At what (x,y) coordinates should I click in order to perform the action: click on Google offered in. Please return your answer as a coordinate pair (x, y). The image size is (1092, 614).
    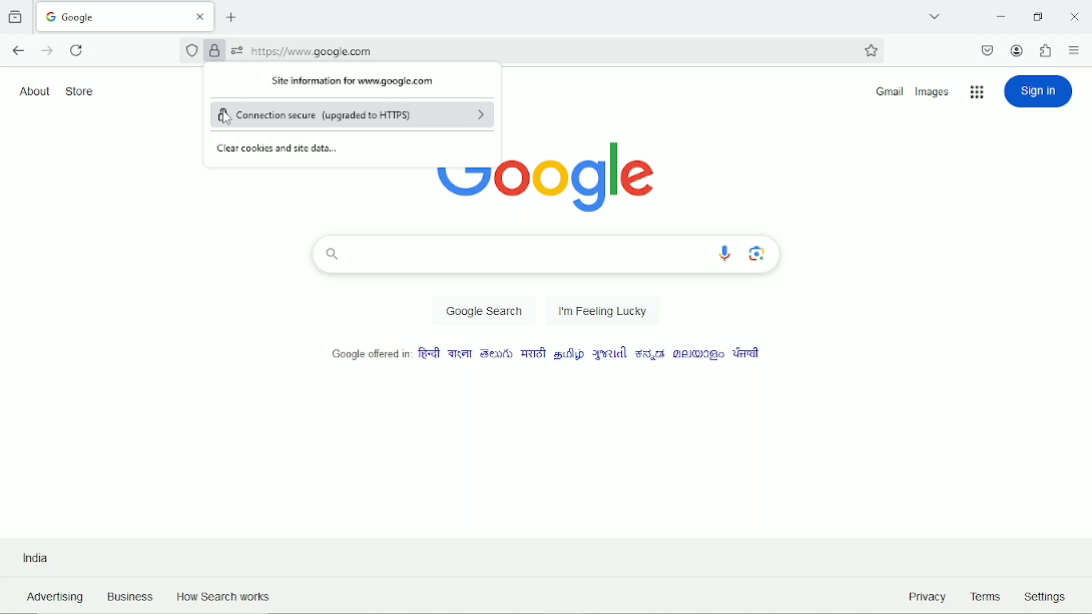
    Looking at the image, I should click on (360, 352).